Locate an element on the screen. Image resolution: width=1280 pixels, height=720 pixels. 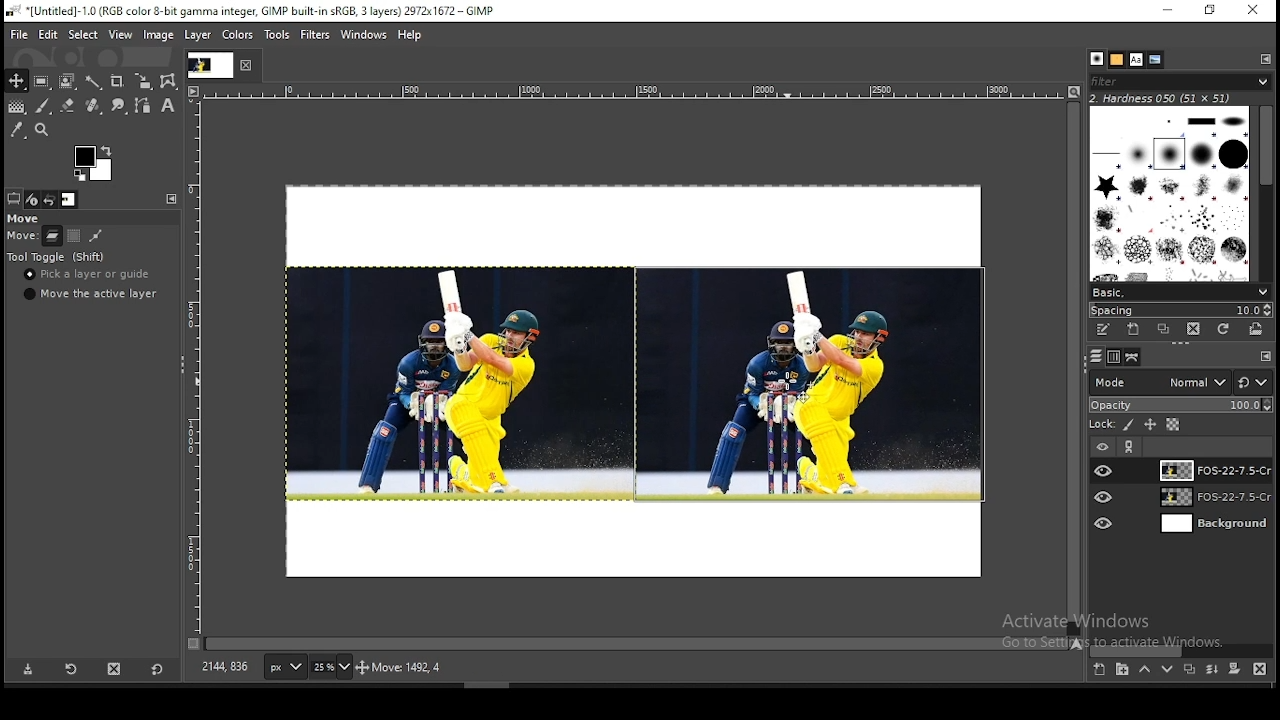
restore to defaults is located at coordinates (159, 668).